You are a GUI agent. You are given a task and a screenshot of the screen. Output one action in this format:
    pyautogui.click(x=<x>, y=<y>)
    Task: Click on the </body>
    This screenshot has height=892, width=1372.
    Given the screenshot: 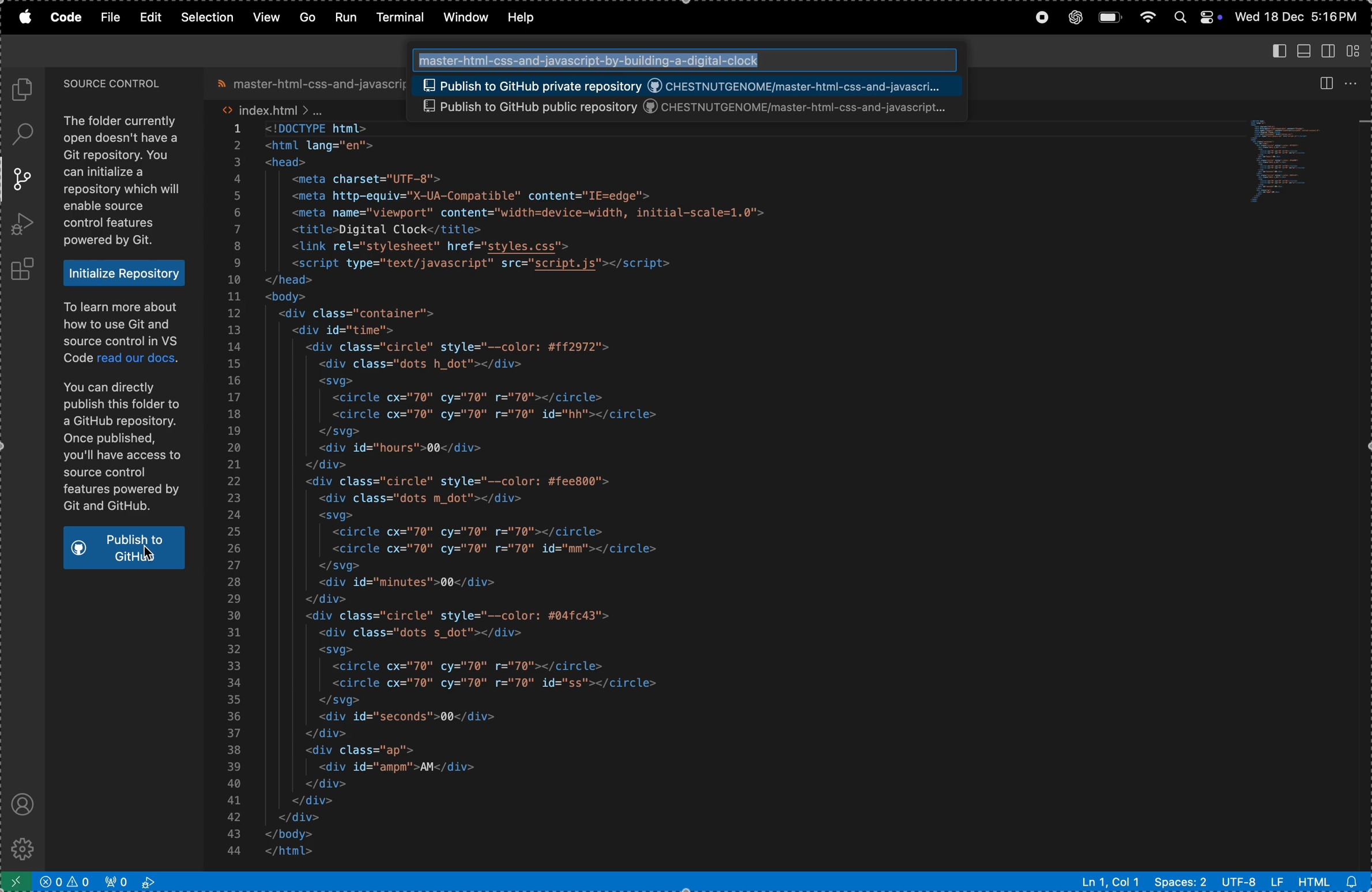 What is the action you would take?
    pyautogui.click(x=308, y=833)
    